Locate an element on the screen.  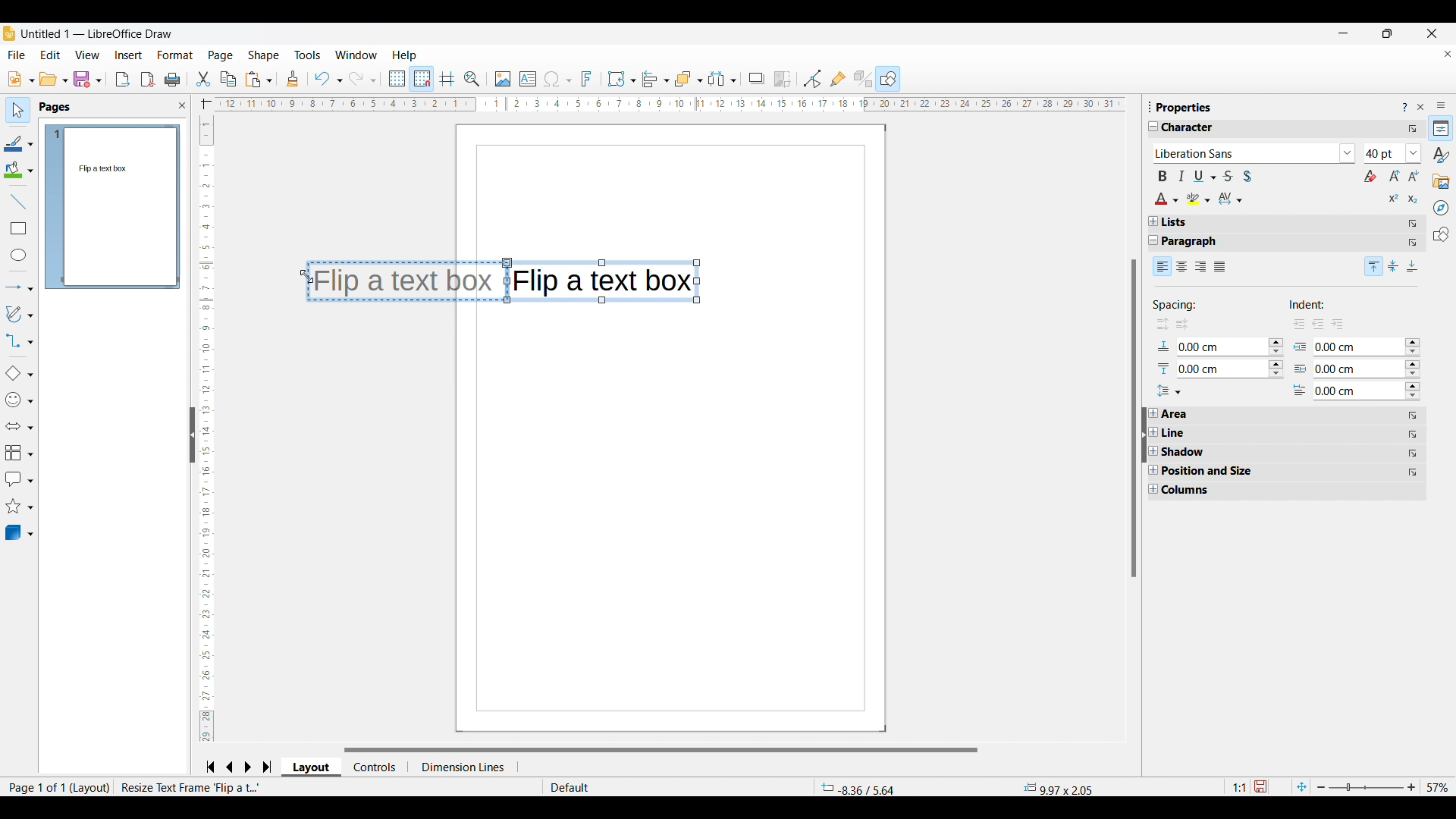
Window menu is located at coordinates (356, 55).